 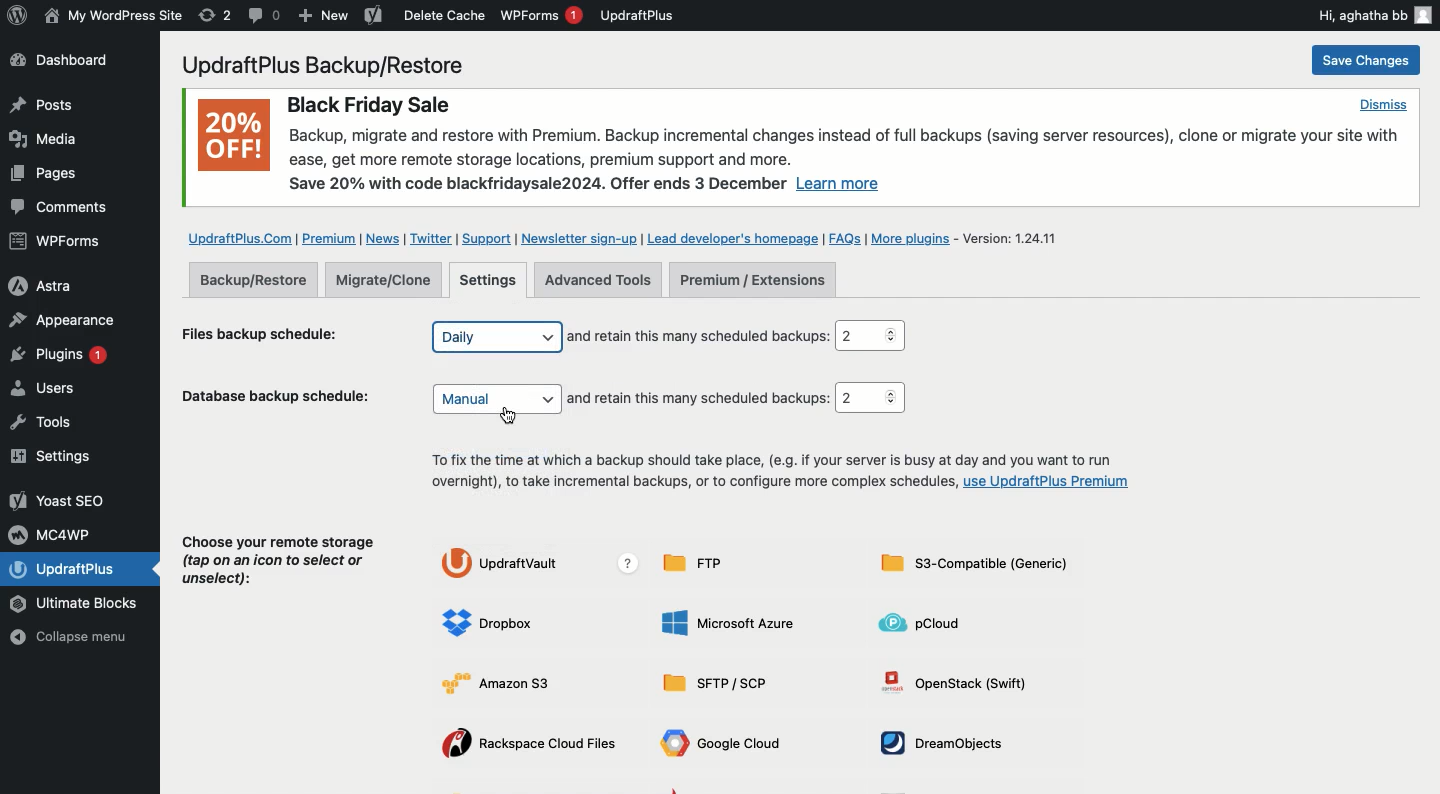 I want to click on UpdraftPlus.com, so click(x=238, y=237).